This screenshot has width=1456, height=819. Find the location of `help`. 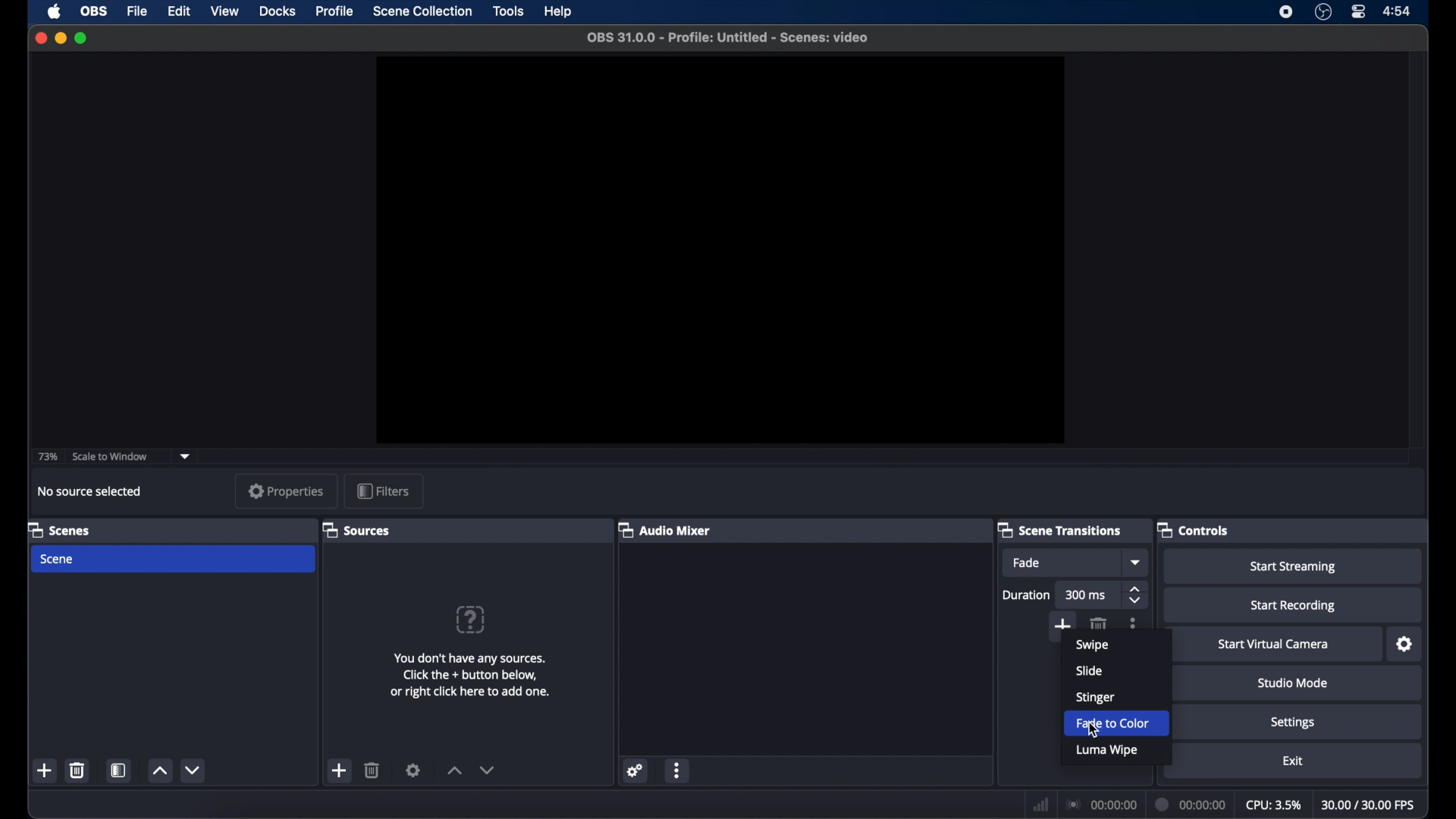

help is located at coordinates (558, 11).